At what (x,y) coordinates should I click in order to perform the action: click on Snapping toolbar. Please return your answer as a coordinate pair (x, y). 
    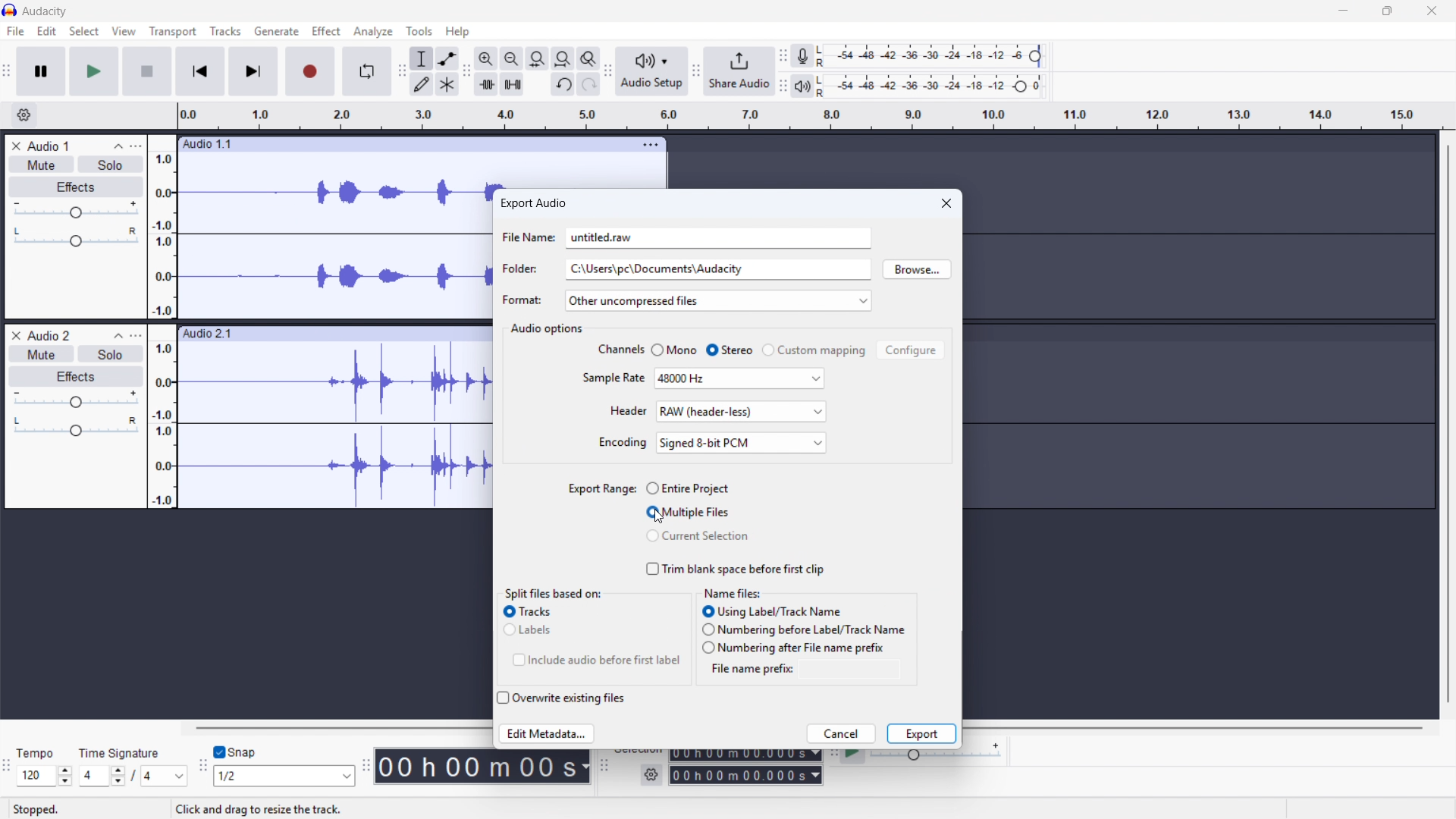
    Looking at the image, I should click on (203, 769).